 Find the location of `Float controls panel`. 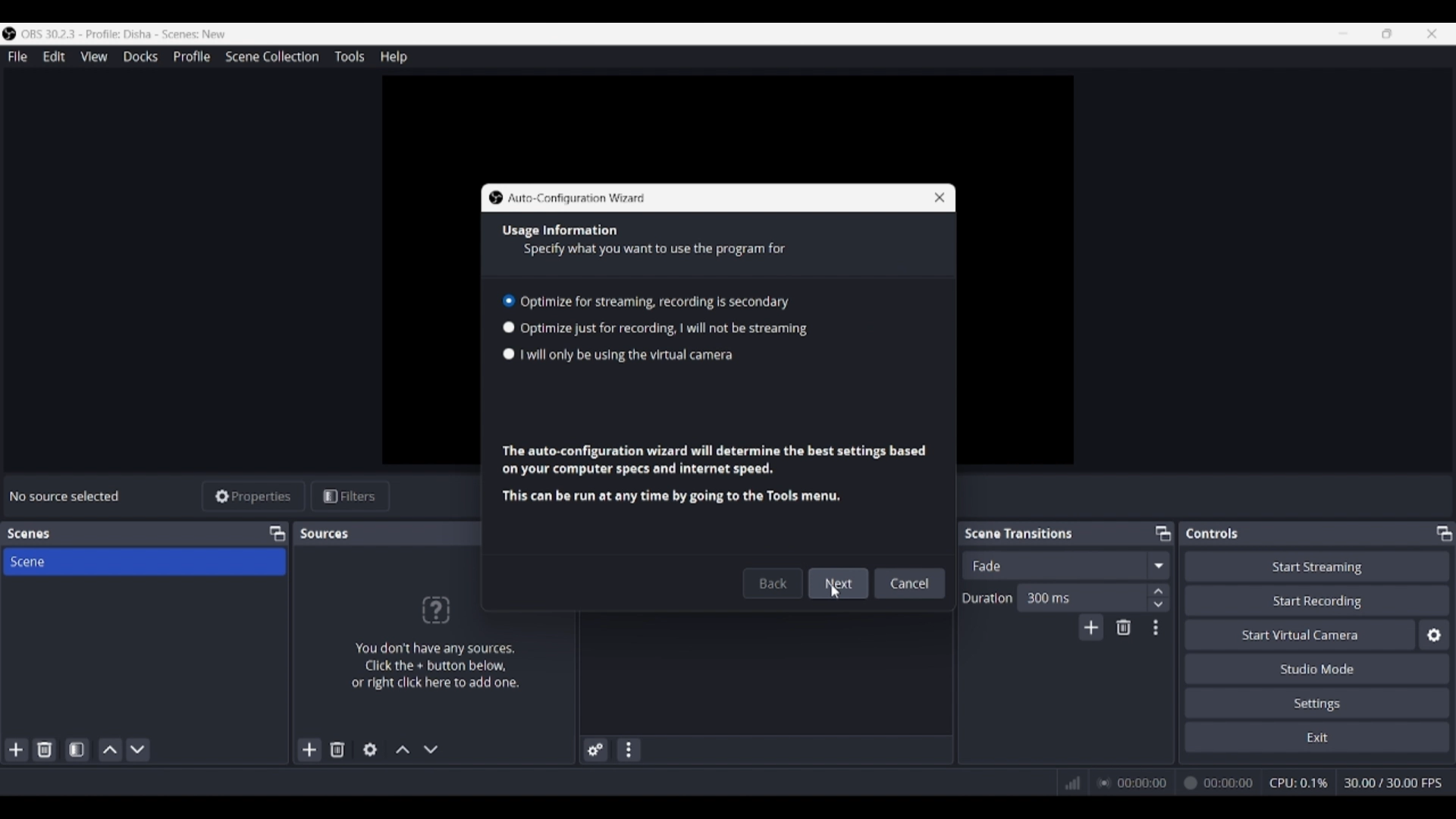

Float controls panel is located at coordinates (1444, 533).